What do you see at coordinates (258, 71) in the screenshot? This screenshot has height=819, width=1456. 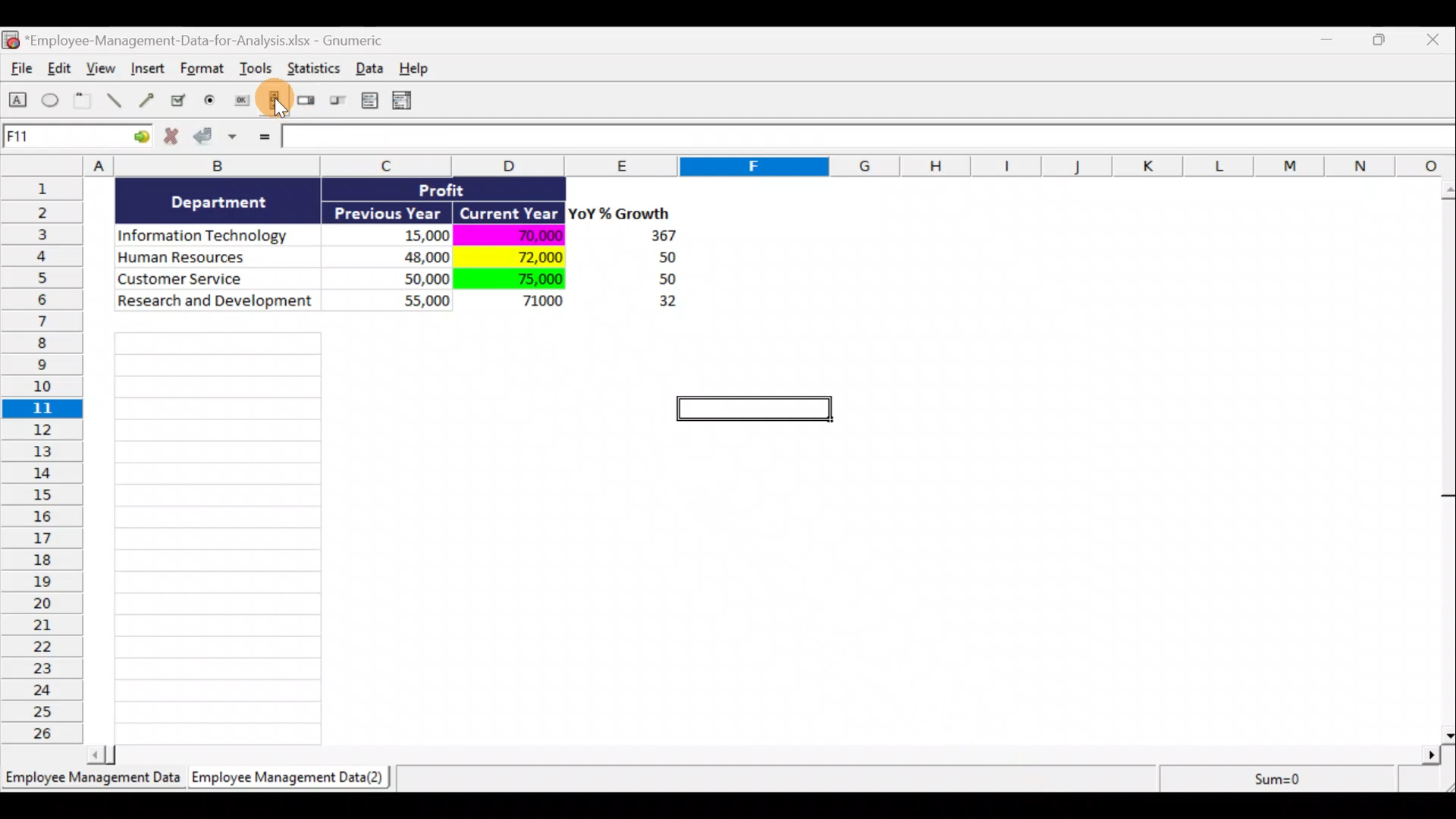 I see `Tools` at bounding box center [258, 71].